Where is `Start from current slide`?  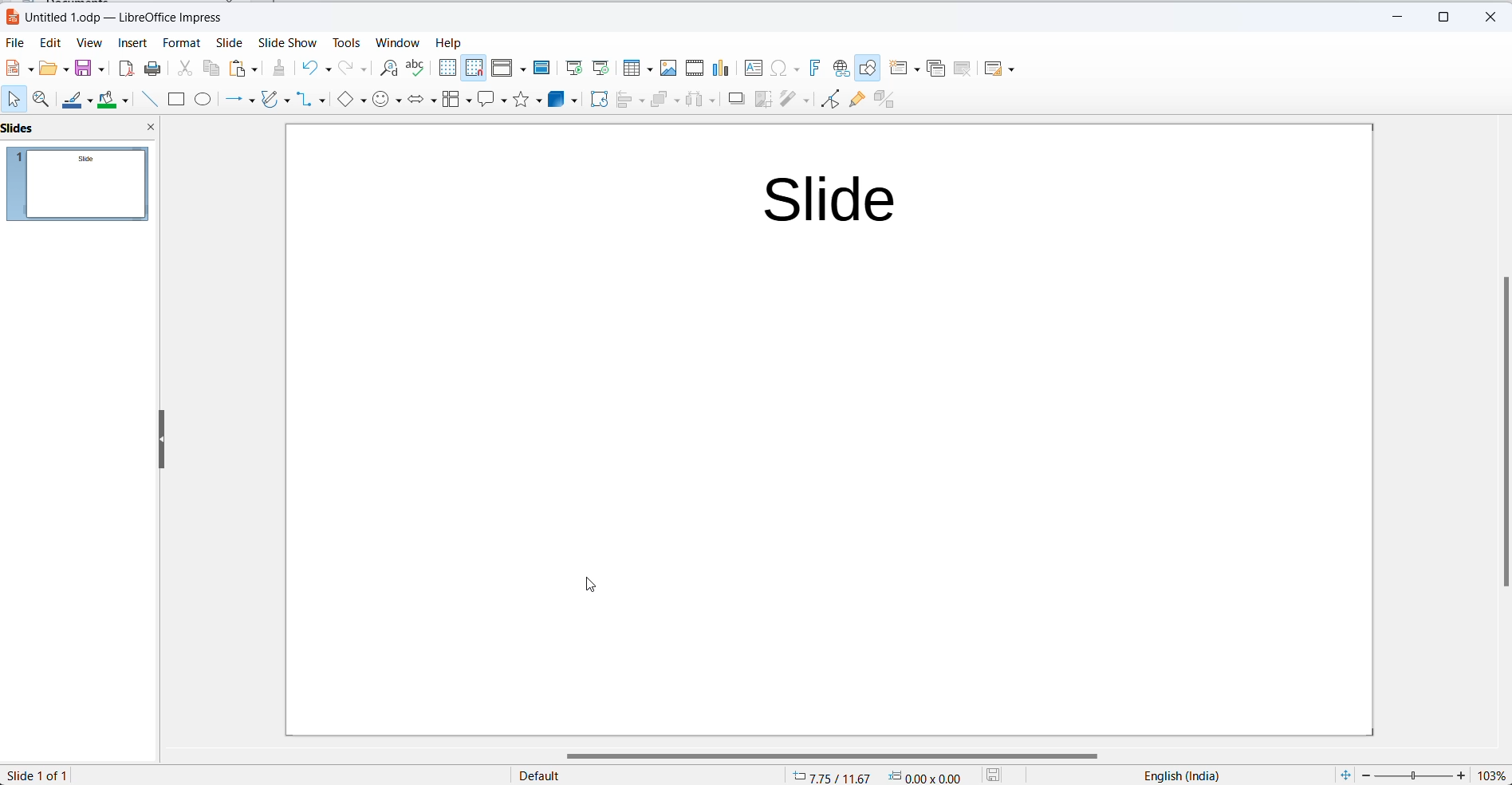
Start from current slide is located at coordinates (601, 69).